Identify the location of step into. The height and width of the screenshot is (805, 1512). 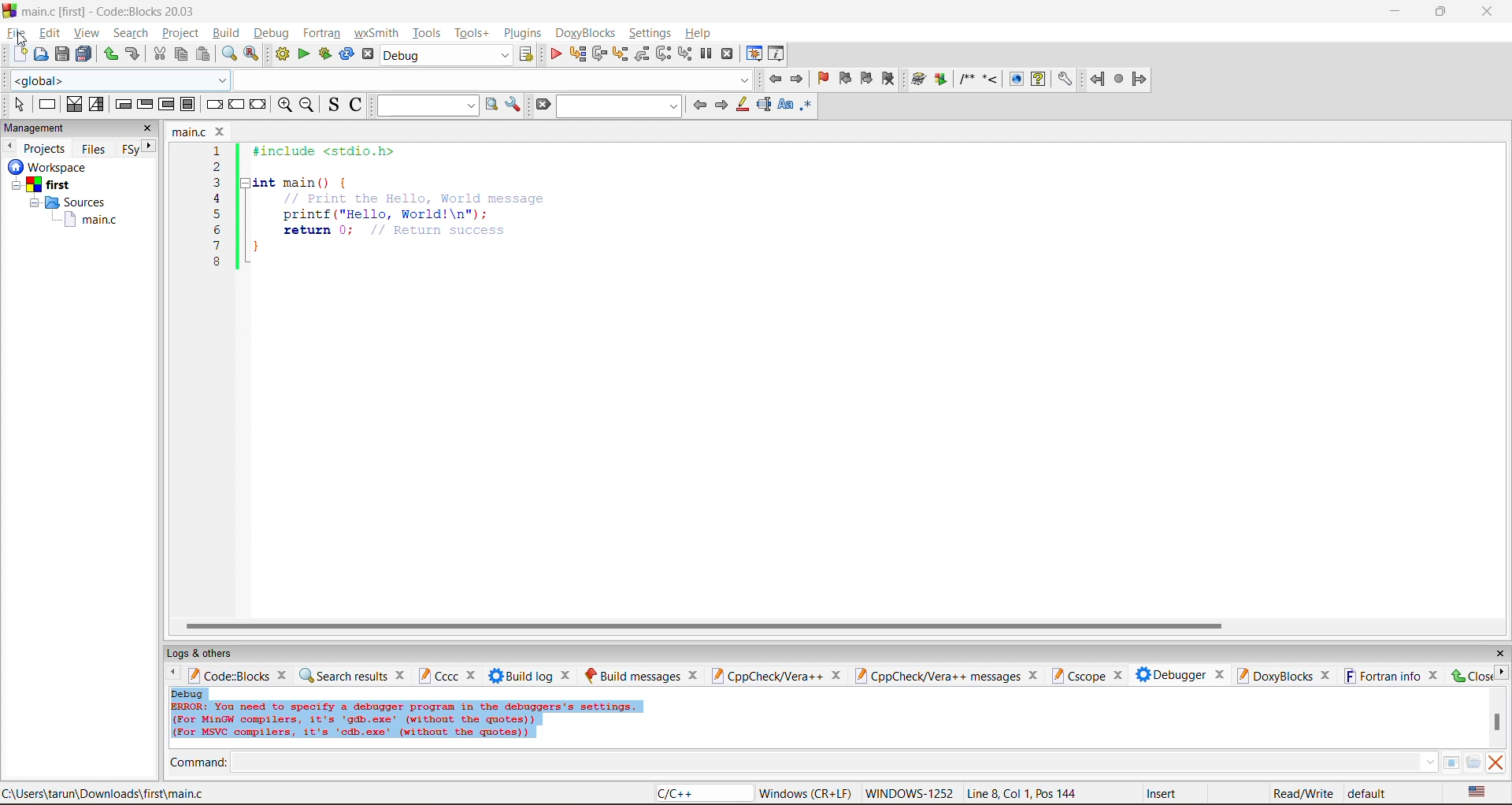
(619, 54).